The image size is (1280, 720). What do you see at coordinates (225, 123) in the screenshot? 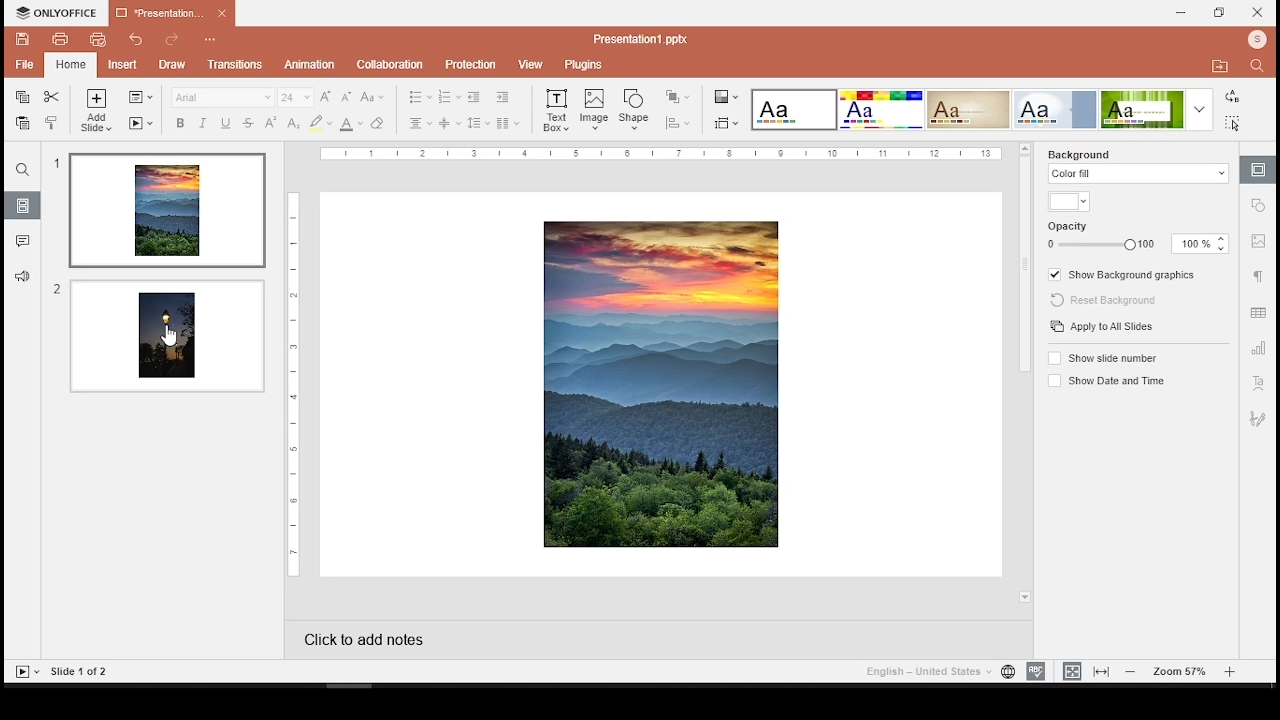
I see `underline` at bounding box center [225, 123].